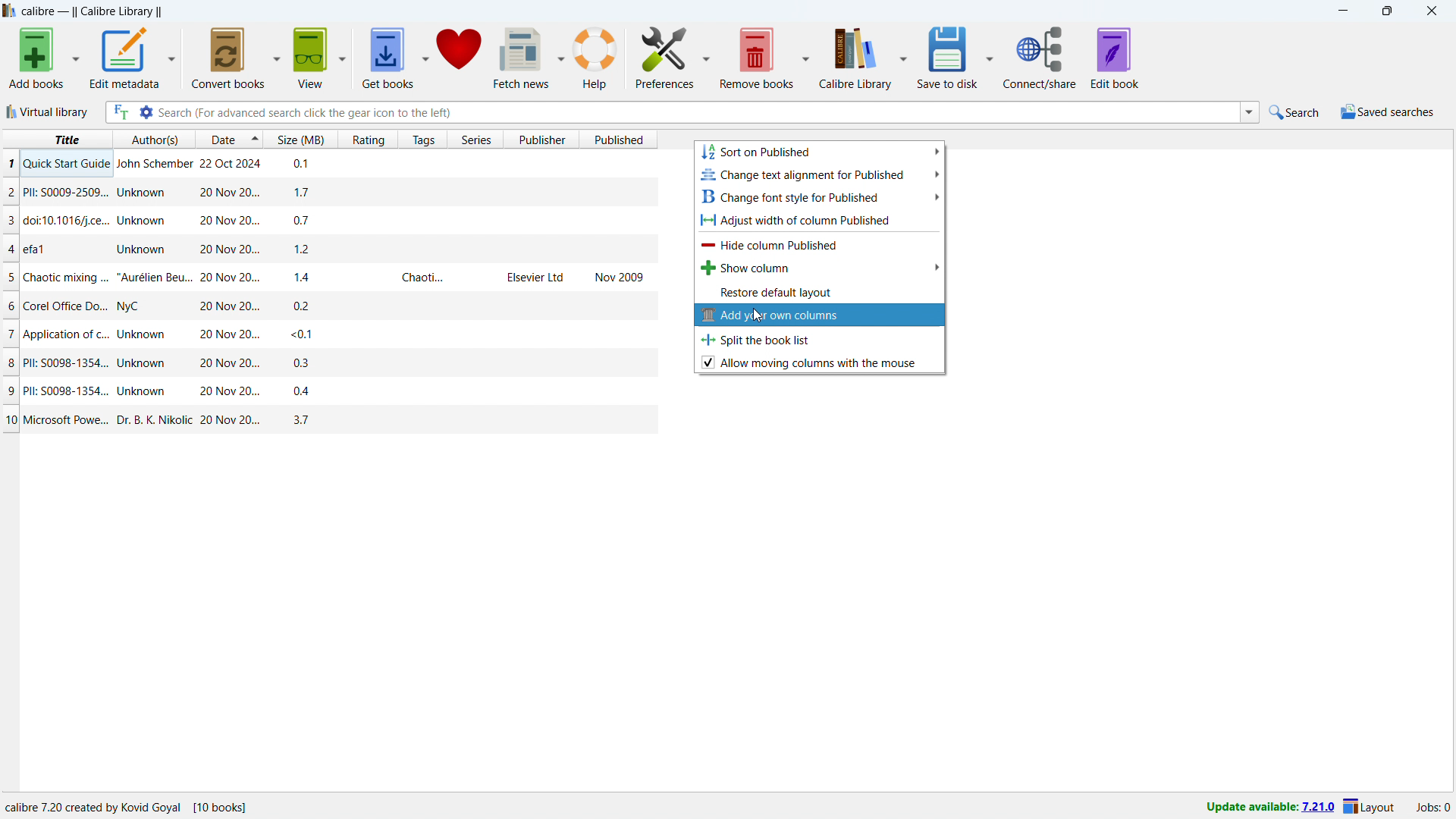  Describe the element at coordinates (948, 56) in the screenshot. I see `save to disk` at that location.